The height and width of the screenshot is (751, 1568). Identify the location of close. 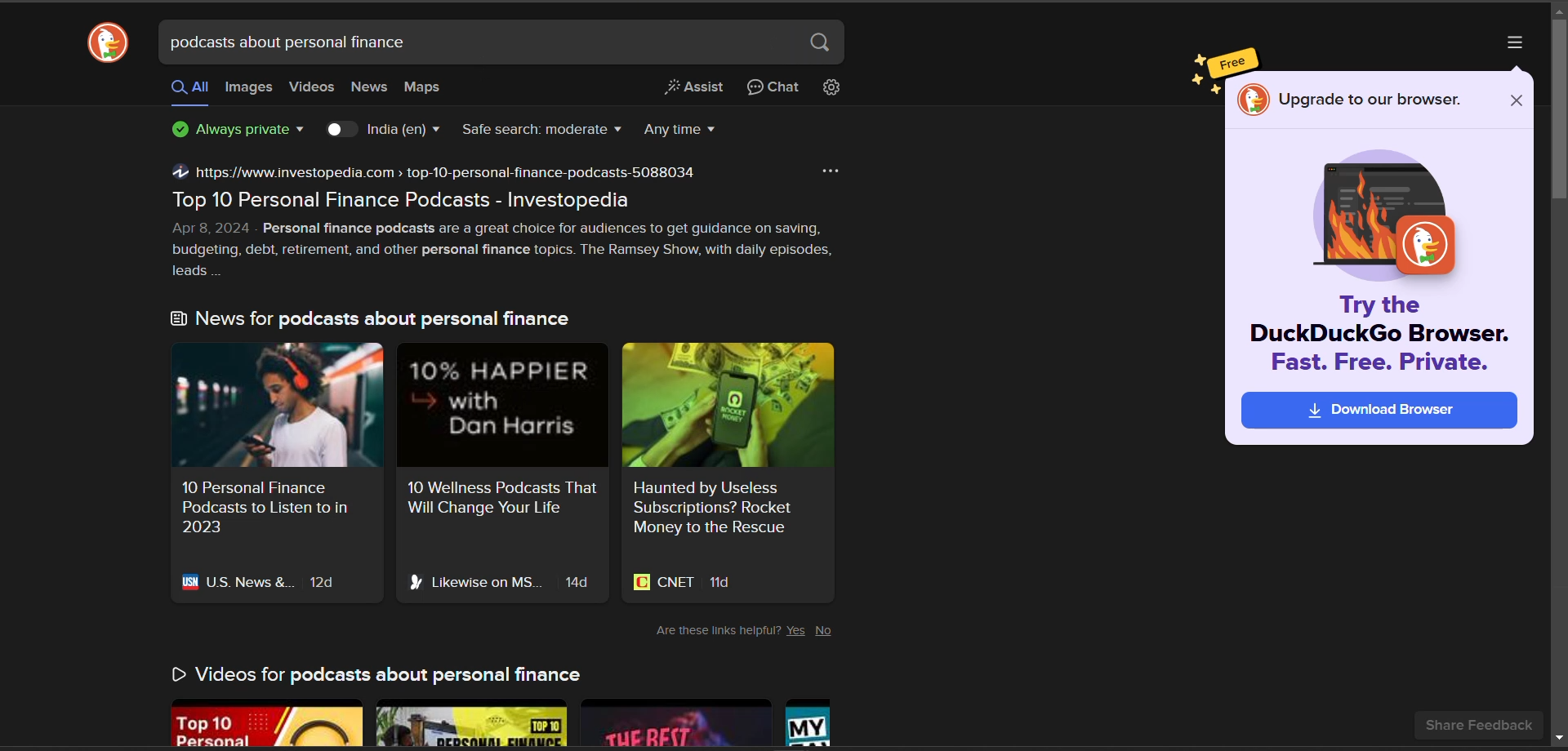
(1516, 101).